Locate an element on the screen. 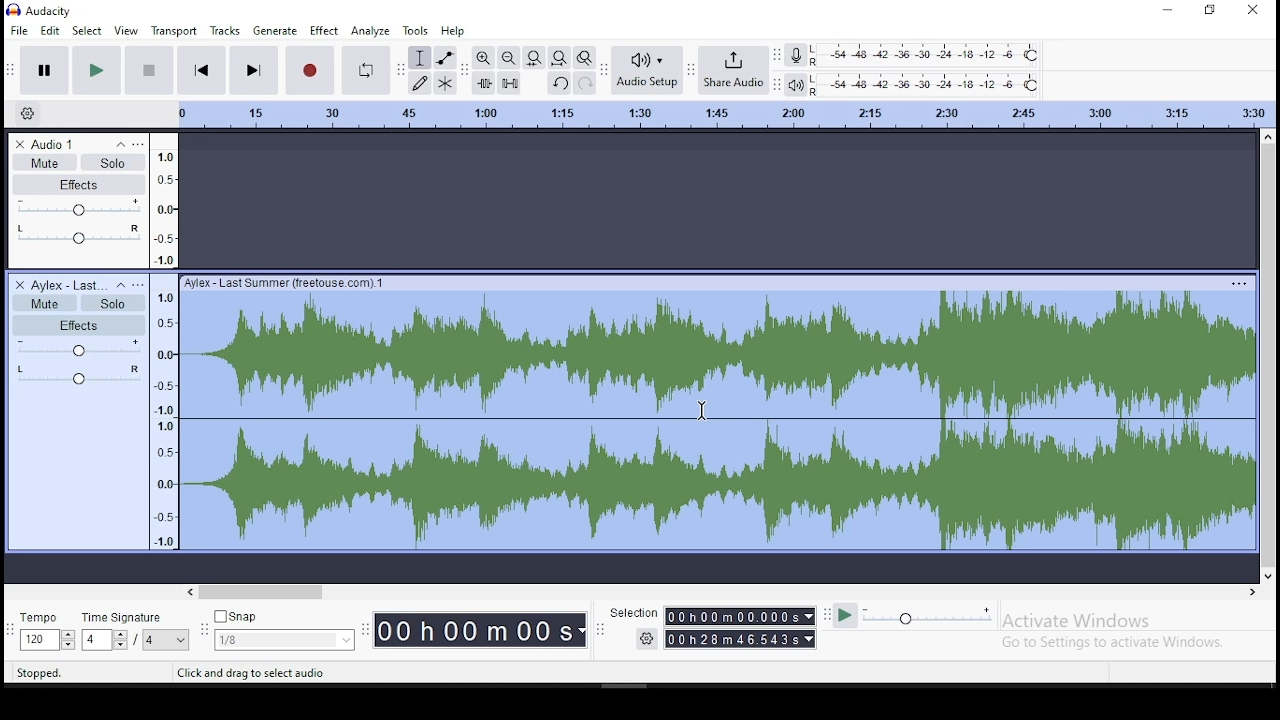  record mixer is located at coordinates (795, 56).